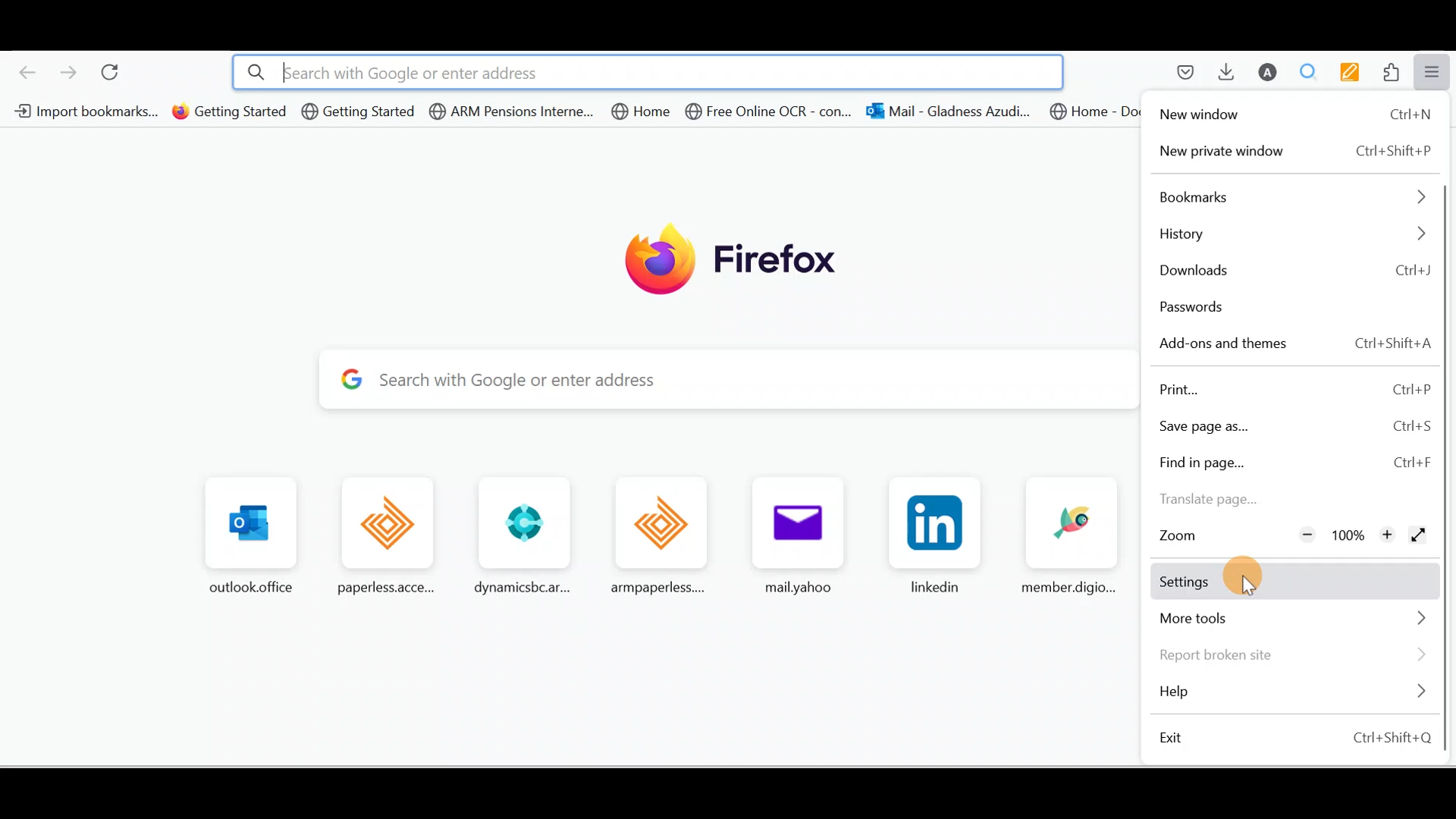 This screenshot has height=819, width=1456. What do you see at coordinates (1300, 115) in the screenshot?
I see `New window    Ctrl+N` at bounding box center [1300, 115].